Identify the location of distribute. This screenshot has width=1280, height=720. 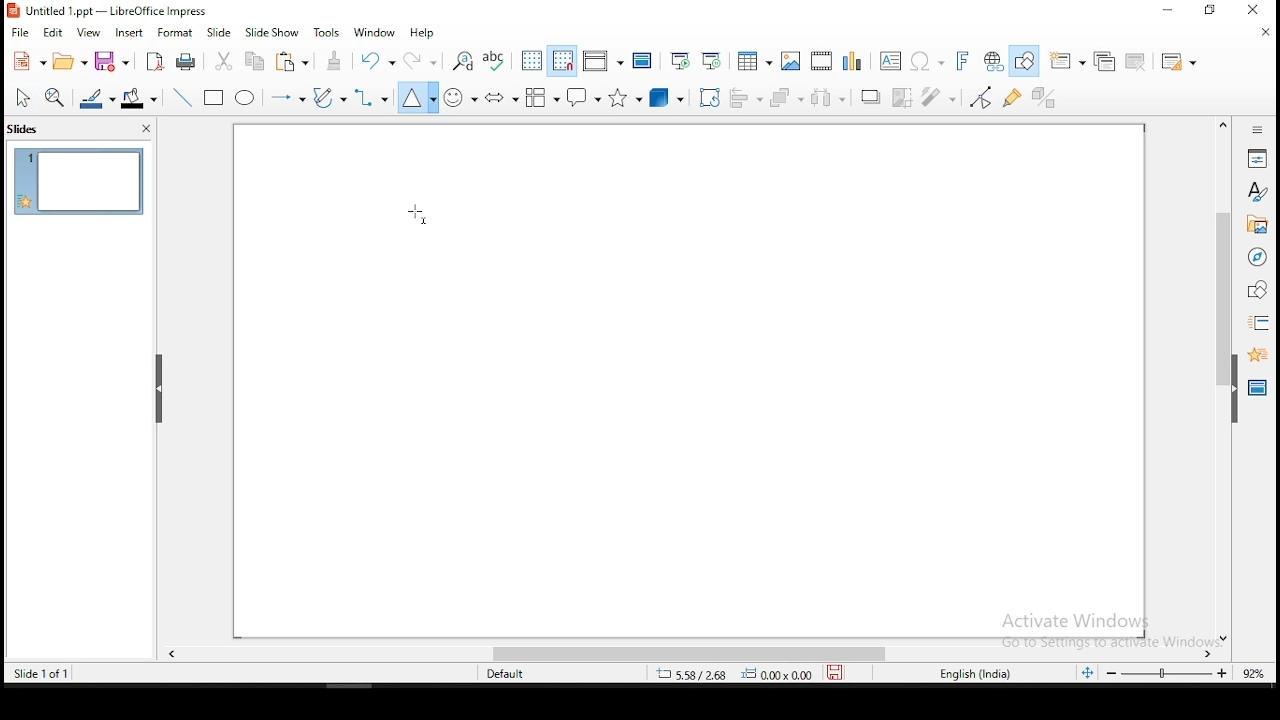
(834, 97).